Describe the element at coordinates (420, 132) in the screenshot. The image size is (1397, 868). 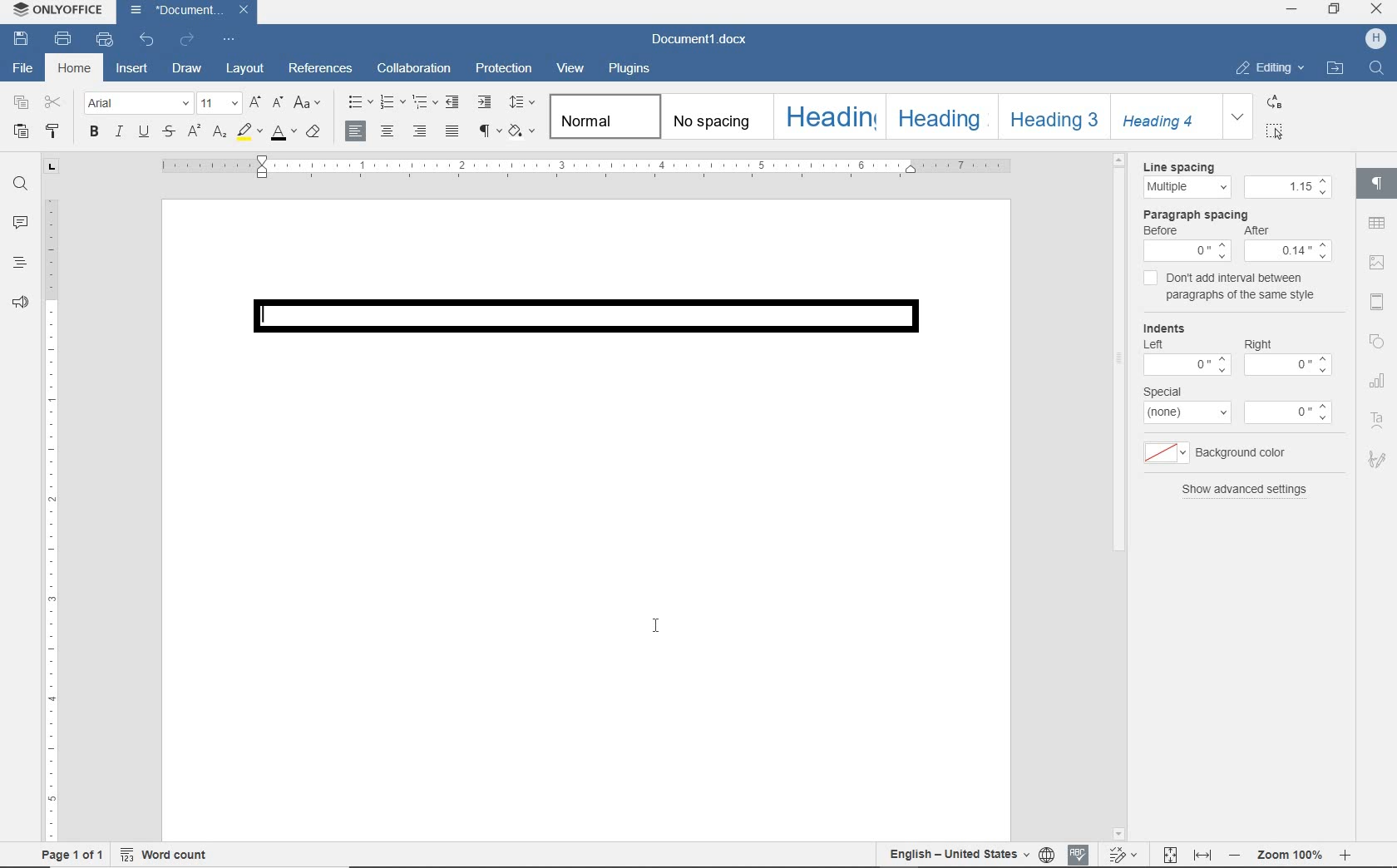
I see `align right` at that location.